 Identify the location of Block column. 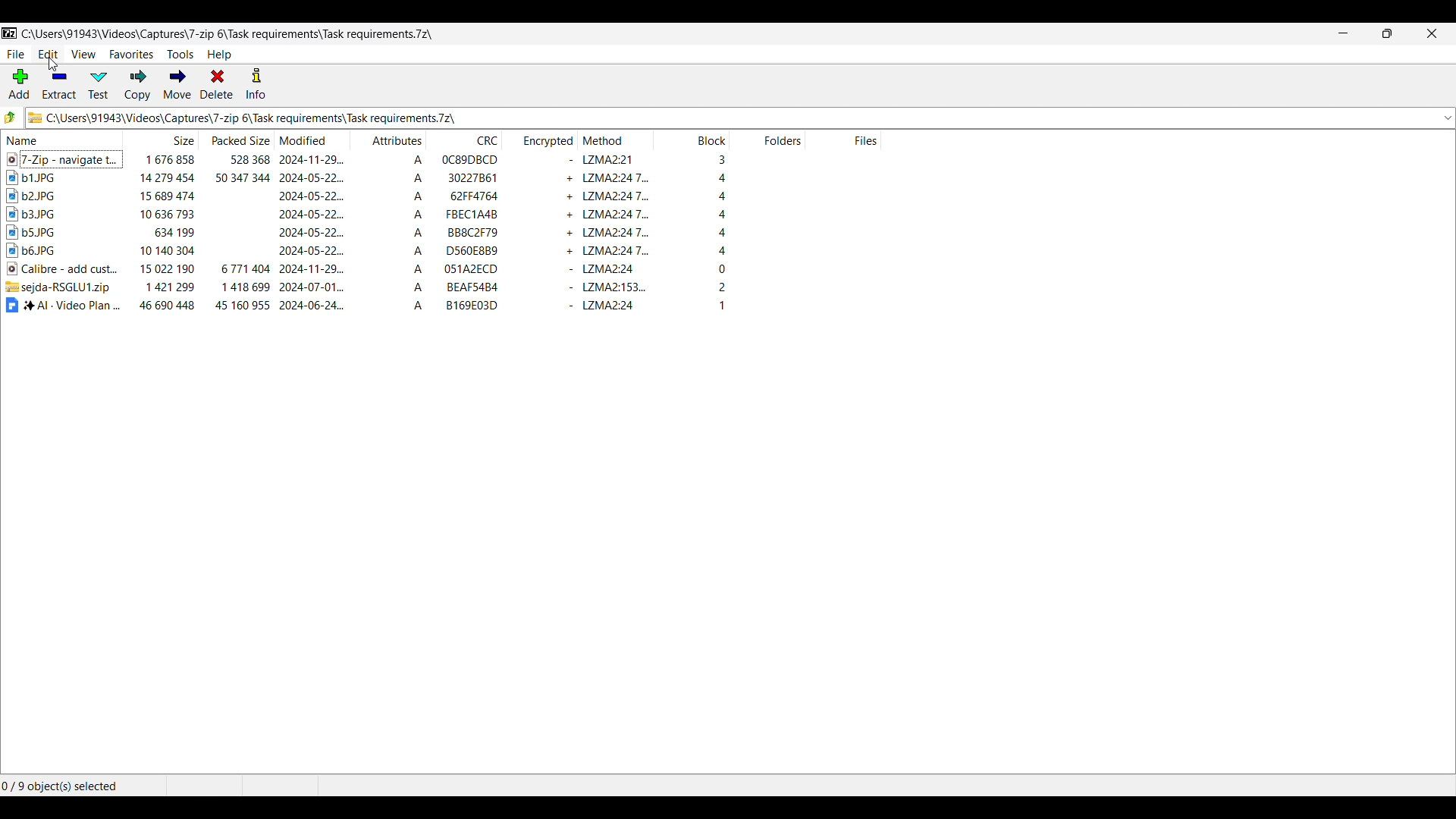
(693, 139).